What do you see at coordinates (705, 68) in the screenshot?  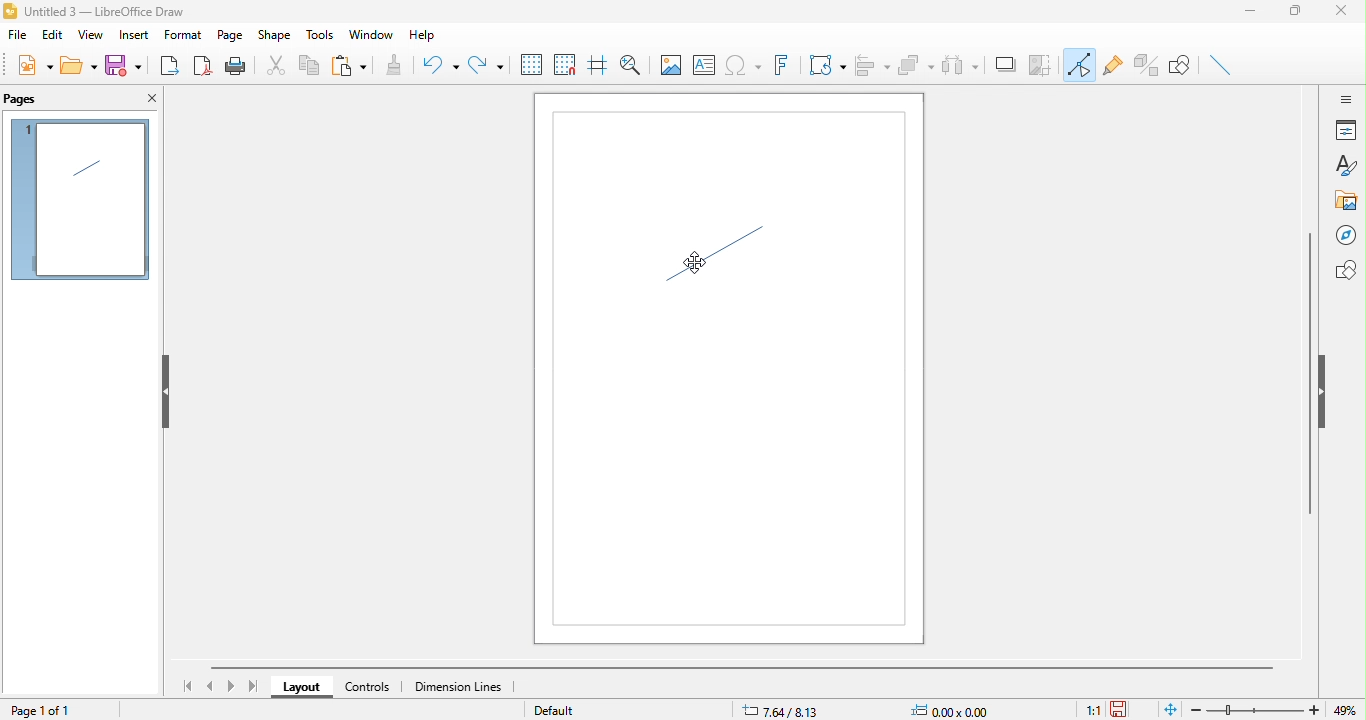 I see `text box` at bounding box center [705, 68].